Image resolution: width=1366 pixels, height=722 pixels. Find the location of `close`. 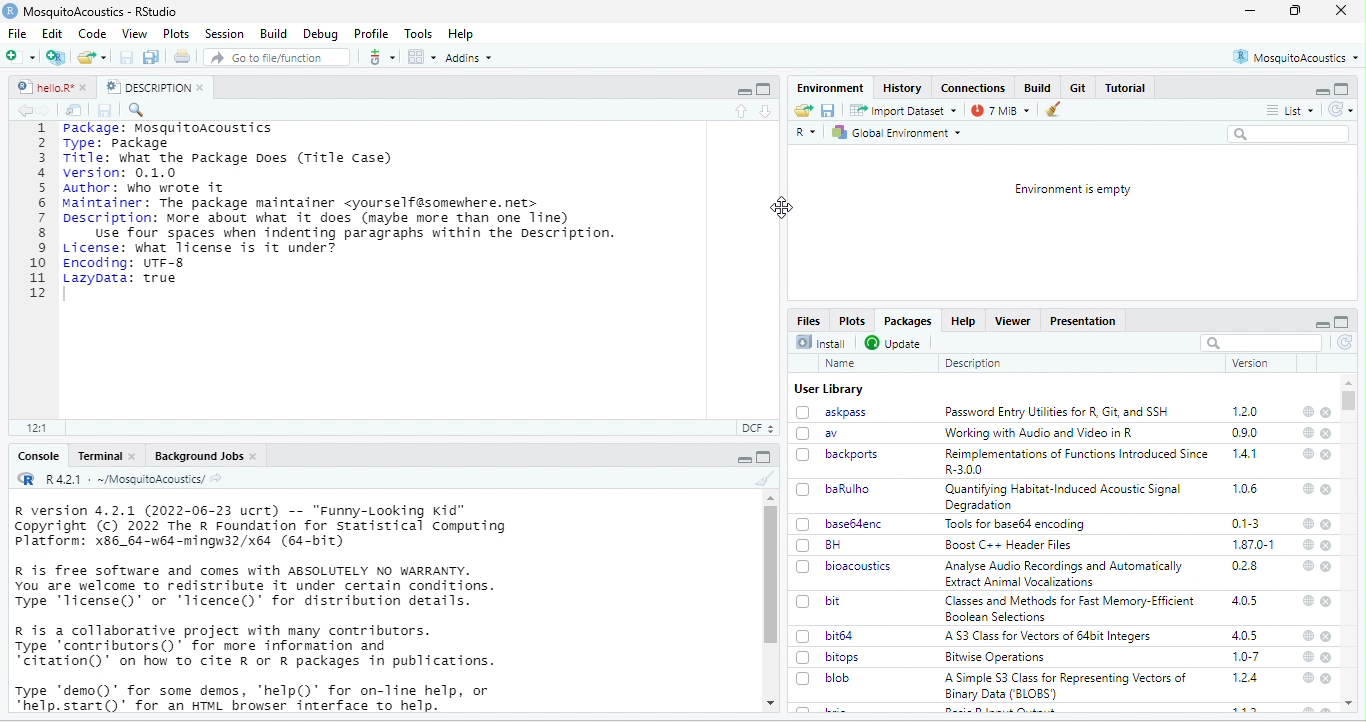

close is located at coordinates (1327, 565).